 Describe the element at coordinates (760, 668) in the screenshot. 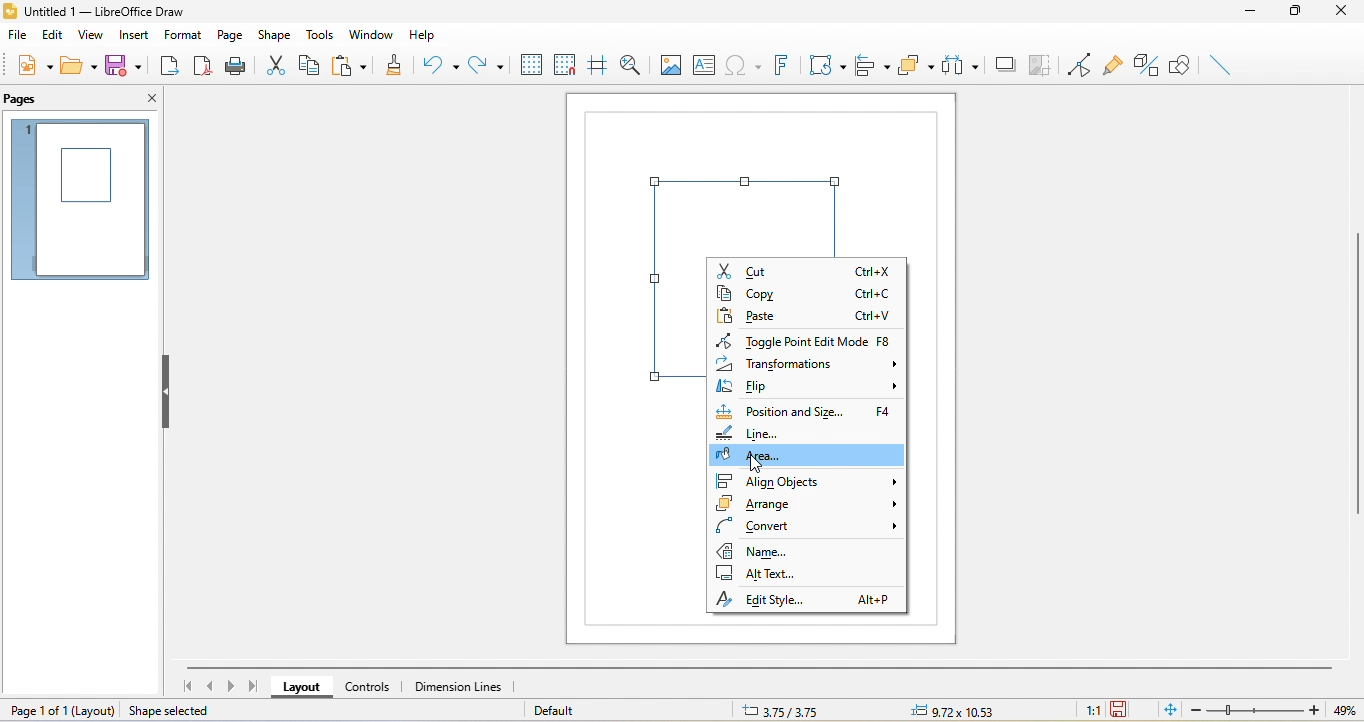

I see `horizontal scroll bar` at that location.